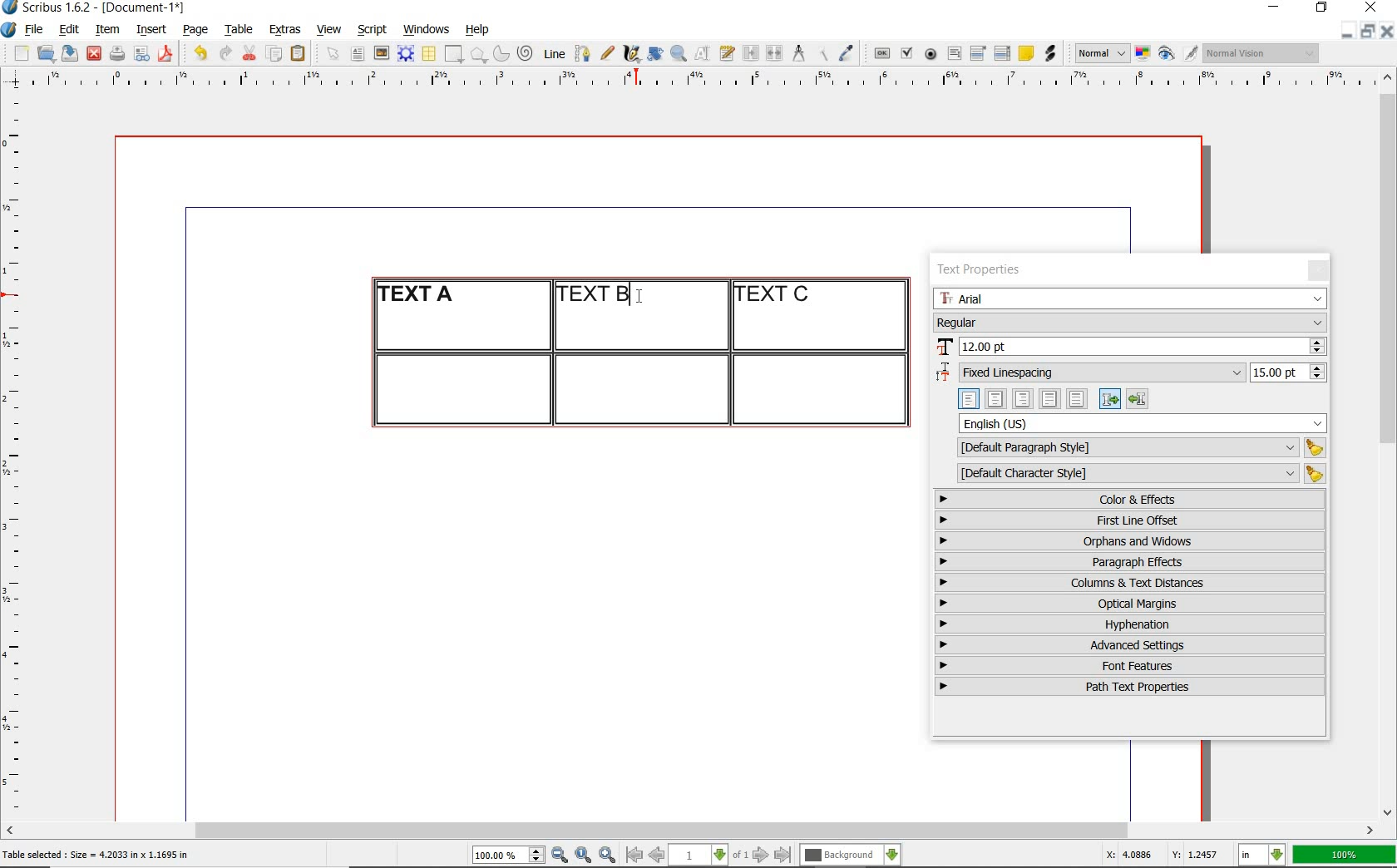  What do you see at coordinates (116, 53) in the screenshot?
I see `print` at bounding box center [116, 53].